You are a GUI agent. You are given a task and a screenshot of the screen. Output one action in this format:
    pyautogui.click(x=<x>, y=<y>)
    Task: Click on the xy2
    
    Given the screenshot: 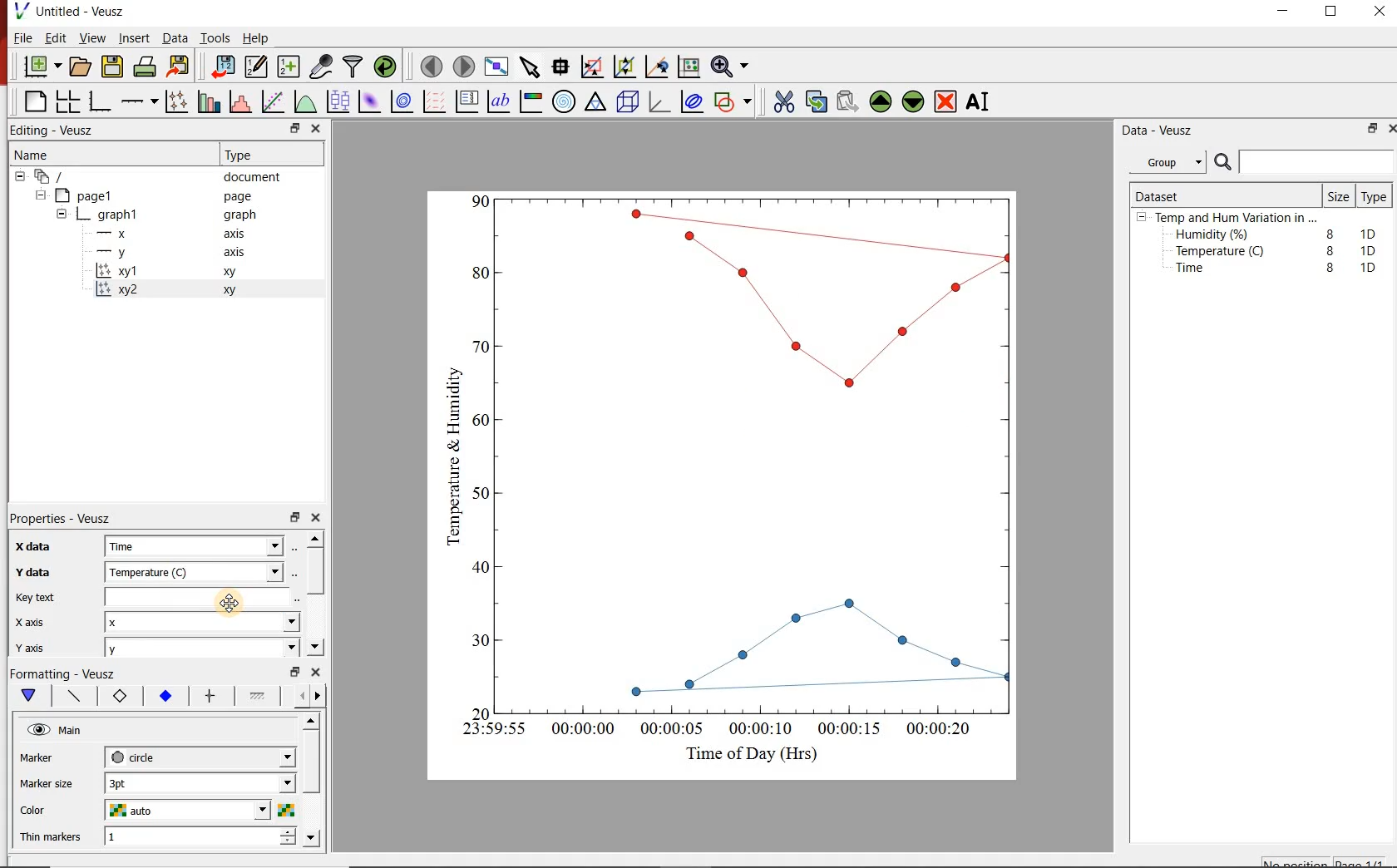 What is the action you would take?
    pyautogui.click(x=122, y=289)
    